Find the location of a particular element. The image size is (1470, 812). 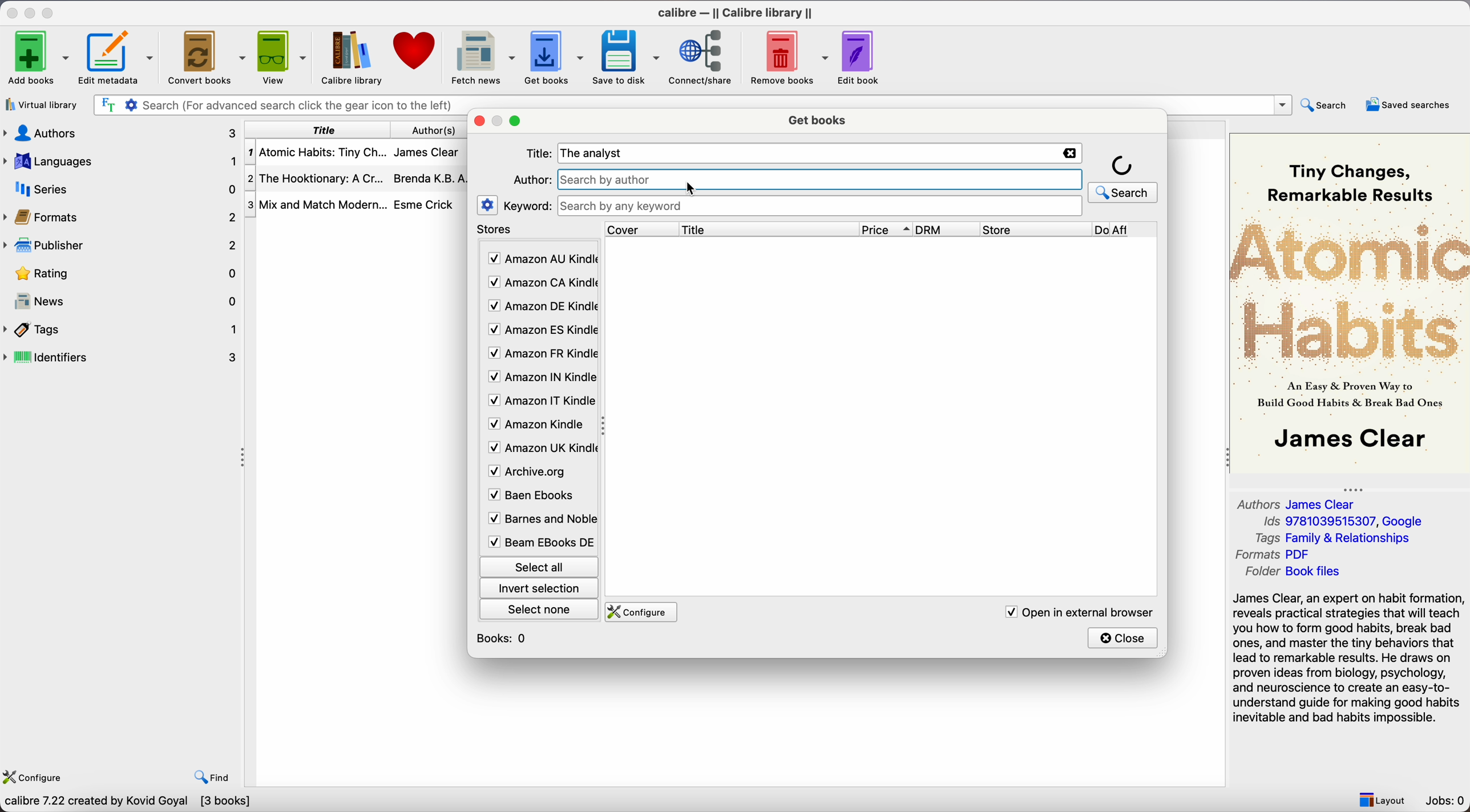

edit metadata is located at coordinates (118, 59).